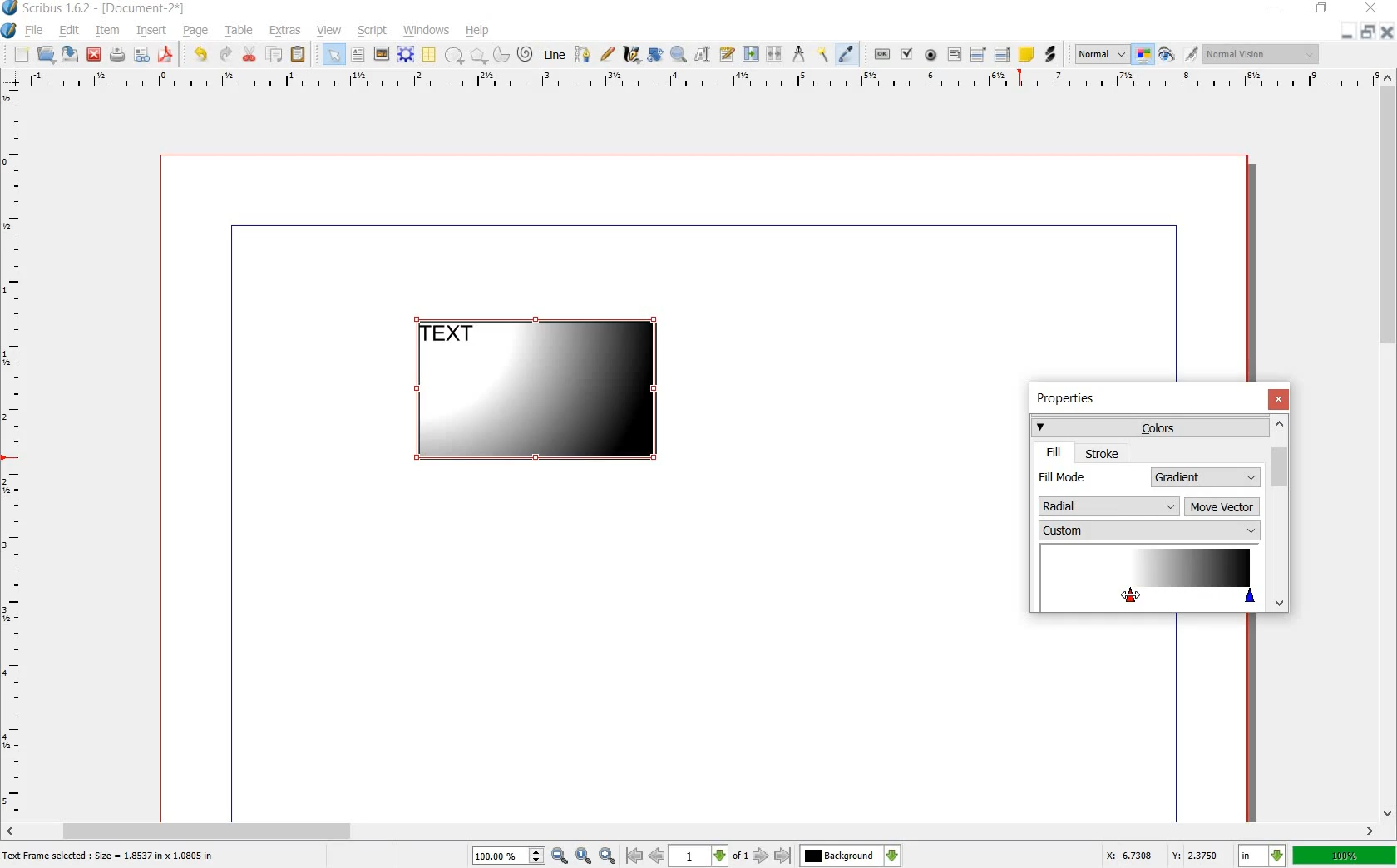 The height and width of the screenshot is (868, 1397). I want to click on glowing effect added to a shape, so click(545, 392).